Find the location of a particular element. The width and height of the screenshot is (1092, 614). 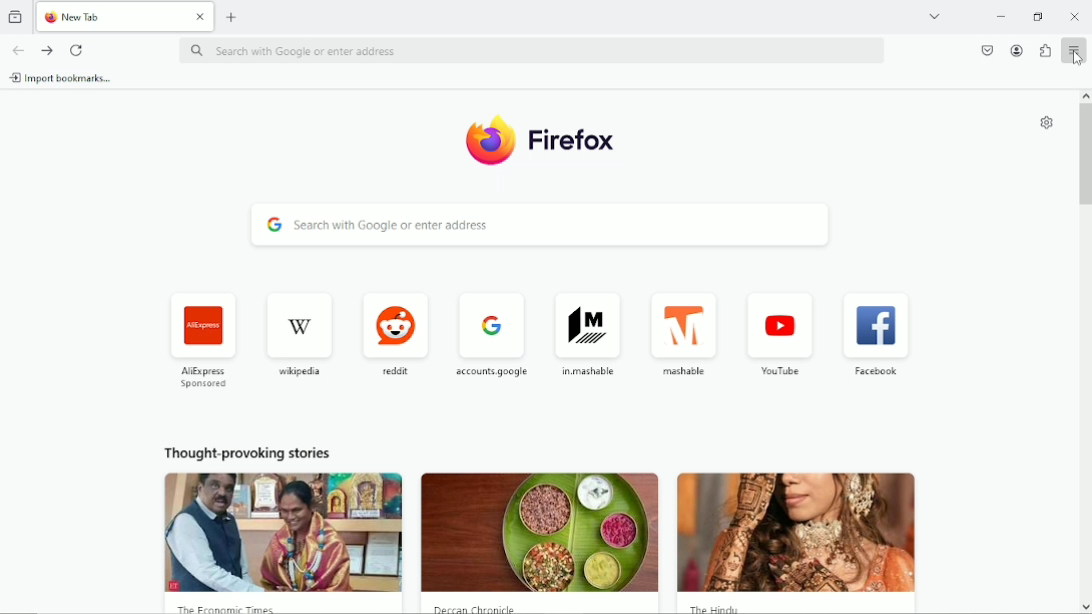

AliExpress is located at coordinates (202, 336).